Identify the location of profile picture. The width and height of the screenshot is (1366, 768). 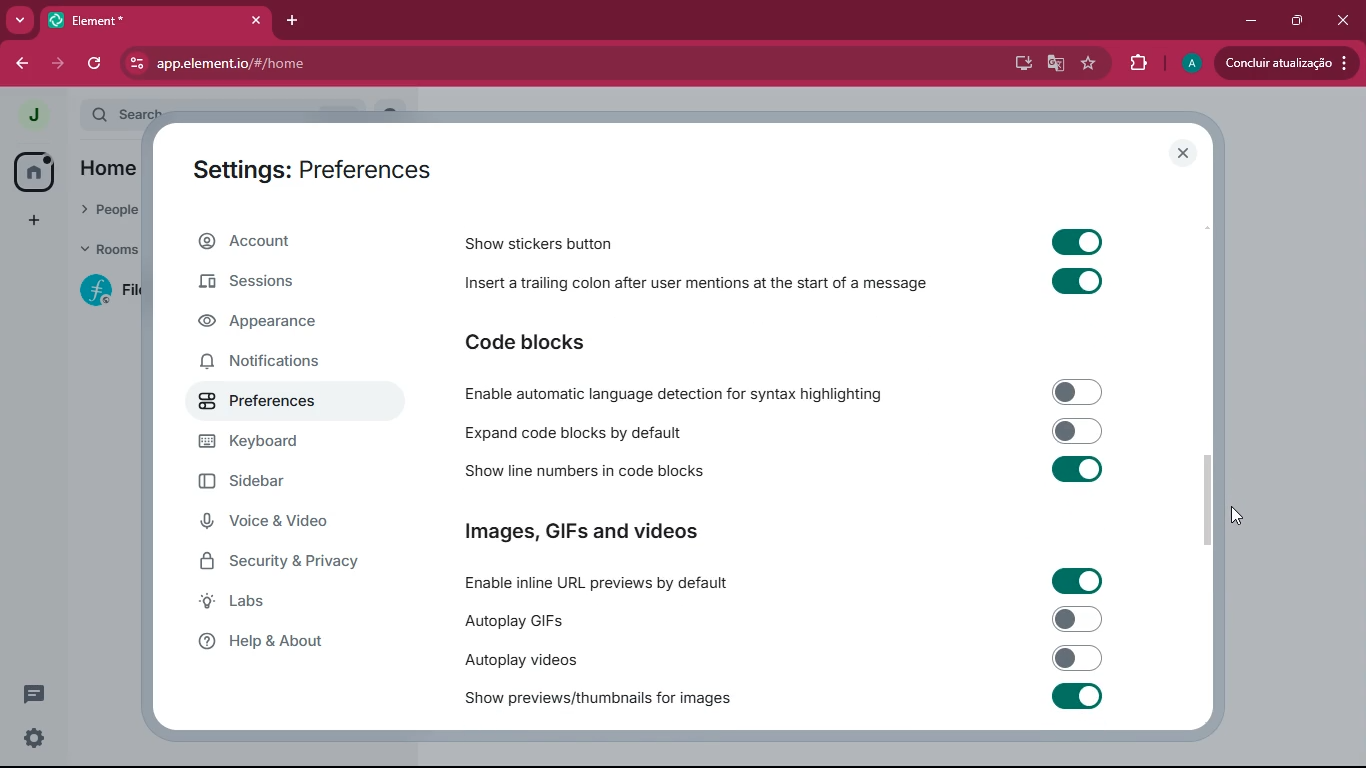
(34, 114).